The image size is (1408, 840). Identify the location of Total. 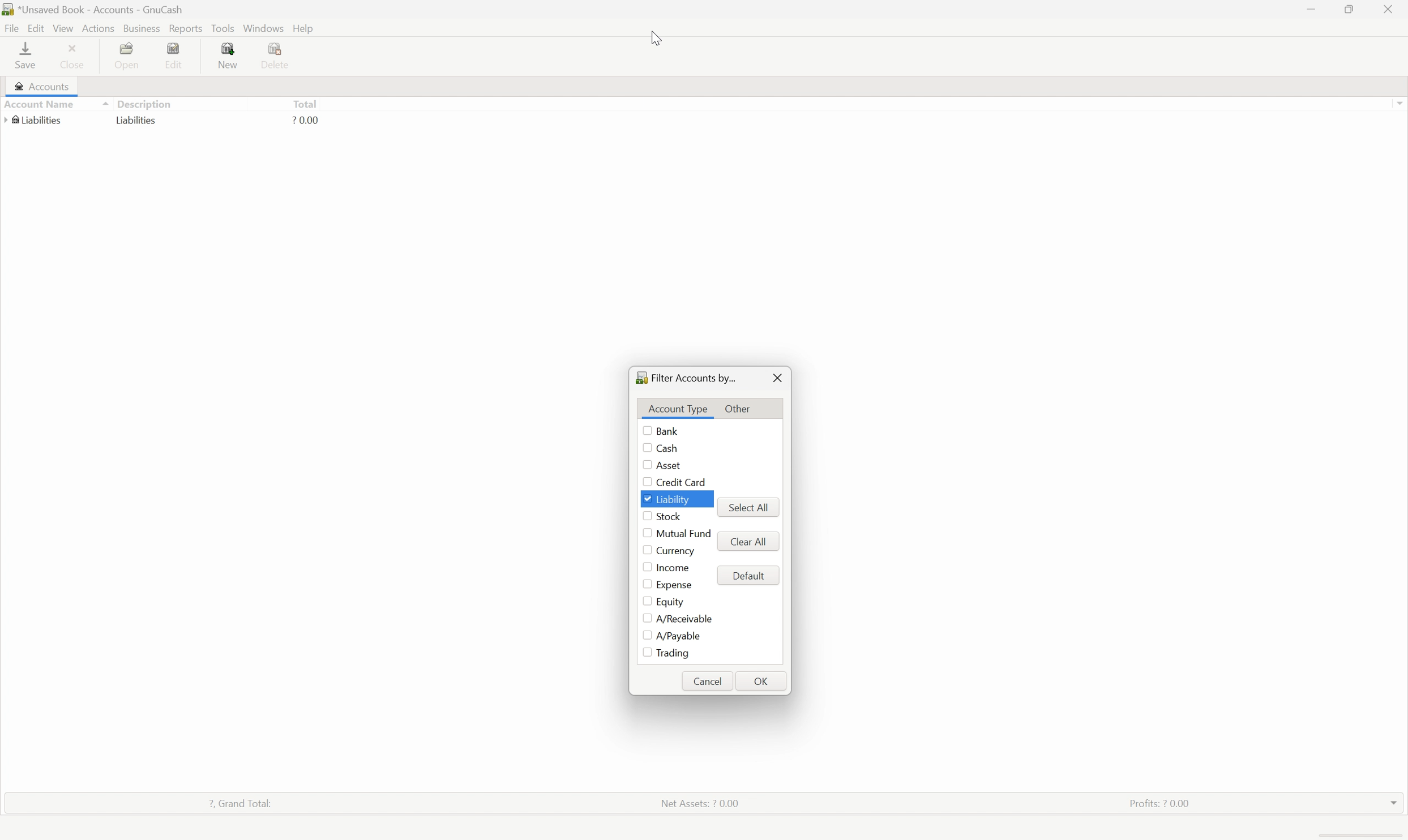
(305, 103).